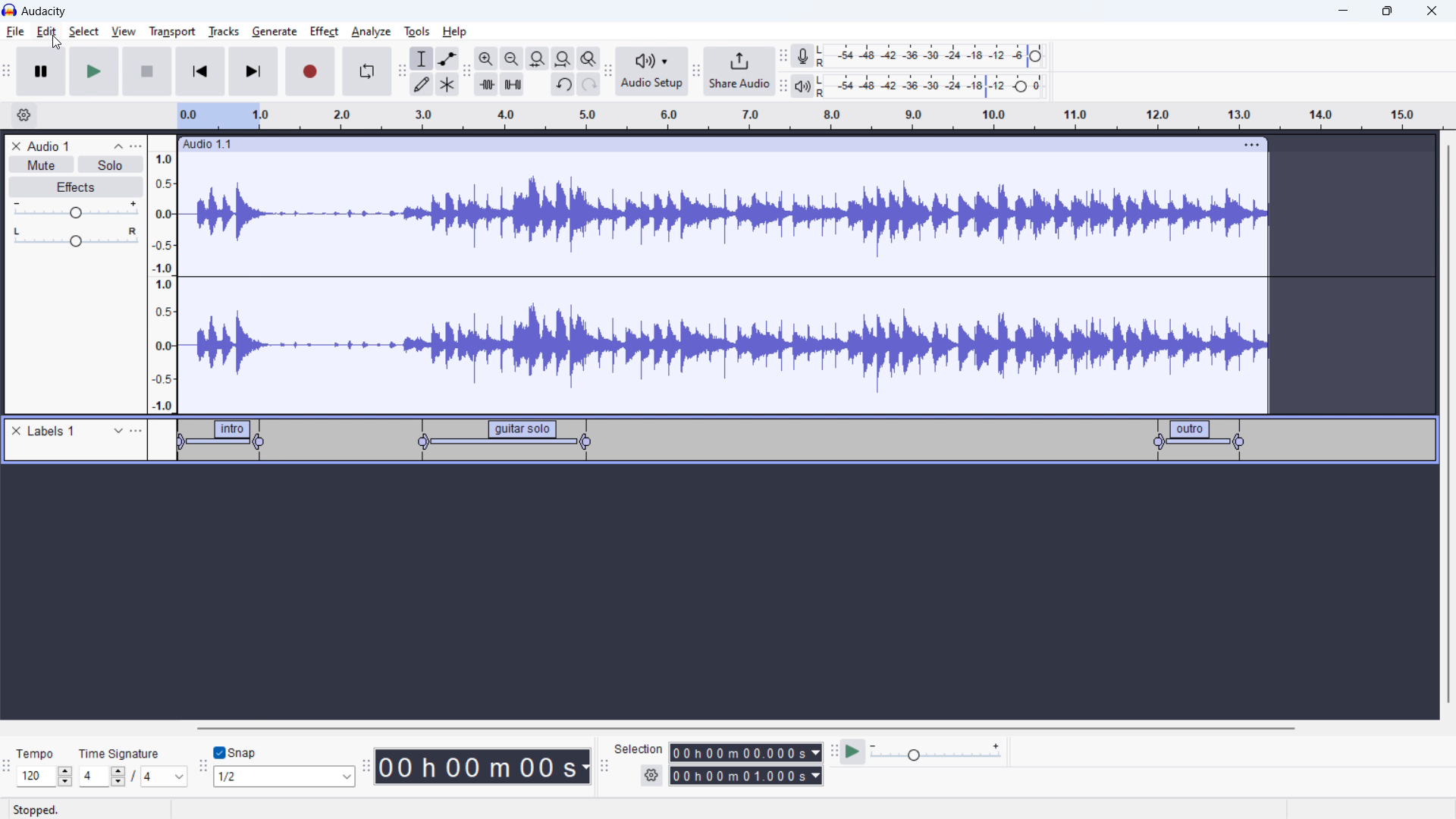 The image size is (1456, 819). Describe the element at coordinates (448, 84) in the screenshot. I see `multi tool` at that location.